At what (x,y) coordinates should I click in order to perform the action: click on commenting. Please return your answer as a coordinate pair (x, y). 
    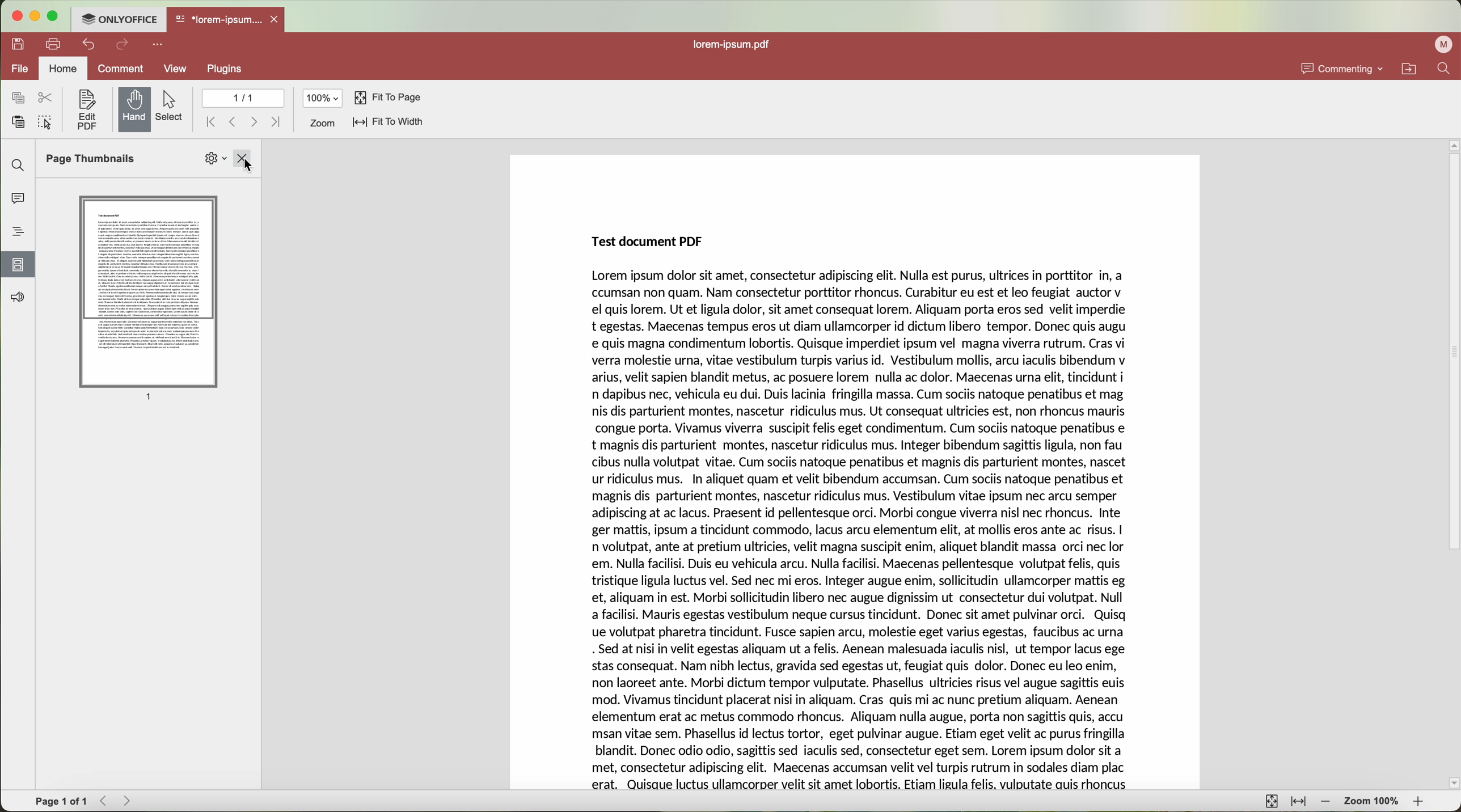
    Looking at the image, I should click on (1343, 68).